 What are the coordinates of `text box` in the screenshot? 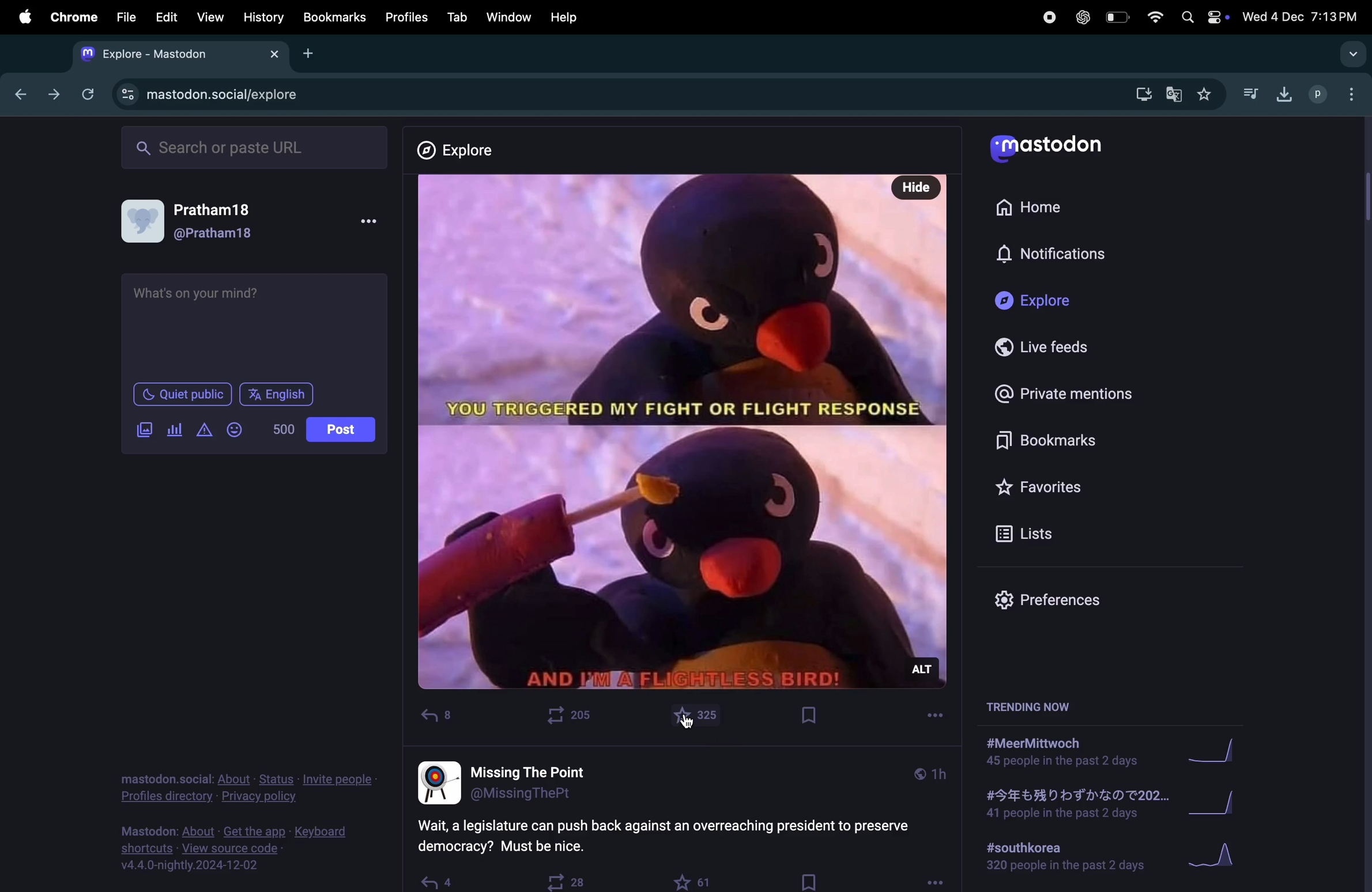 It's located at (257, 325).